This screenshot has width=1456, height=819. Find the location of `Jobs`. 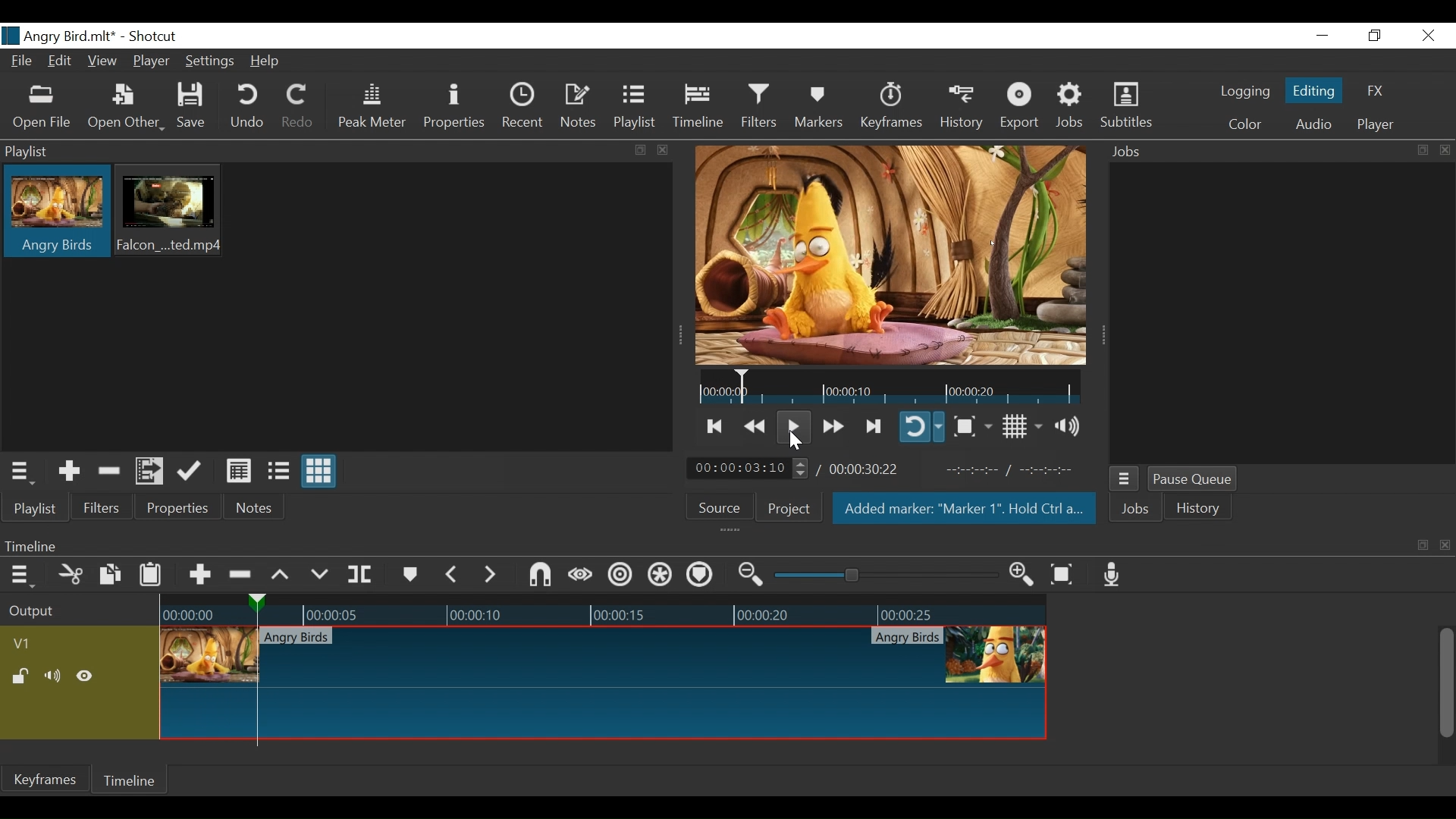

Jobs is located at coordinates (1135, 508).